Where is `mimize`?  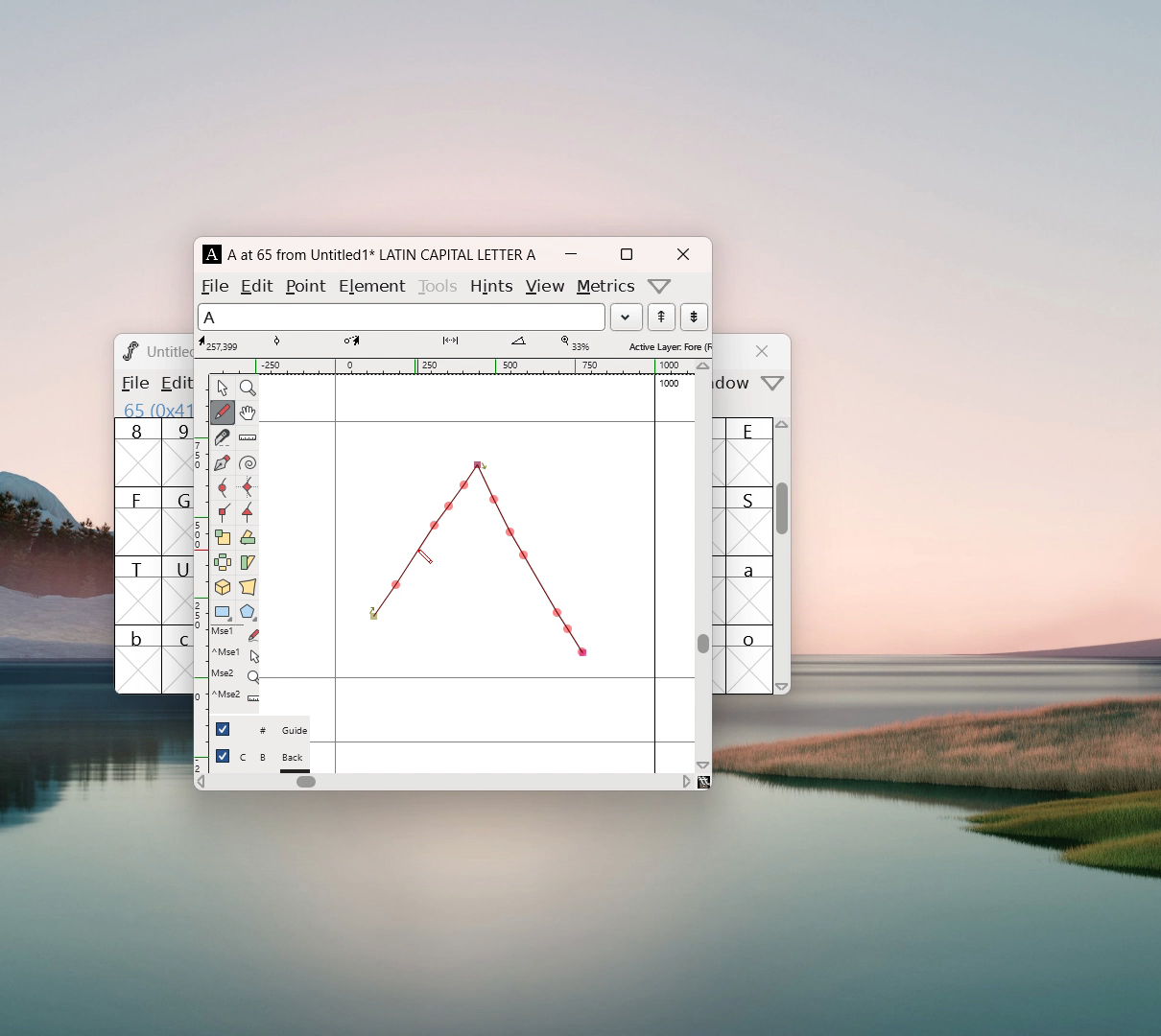
mimize is located at coordinates (571, 254).